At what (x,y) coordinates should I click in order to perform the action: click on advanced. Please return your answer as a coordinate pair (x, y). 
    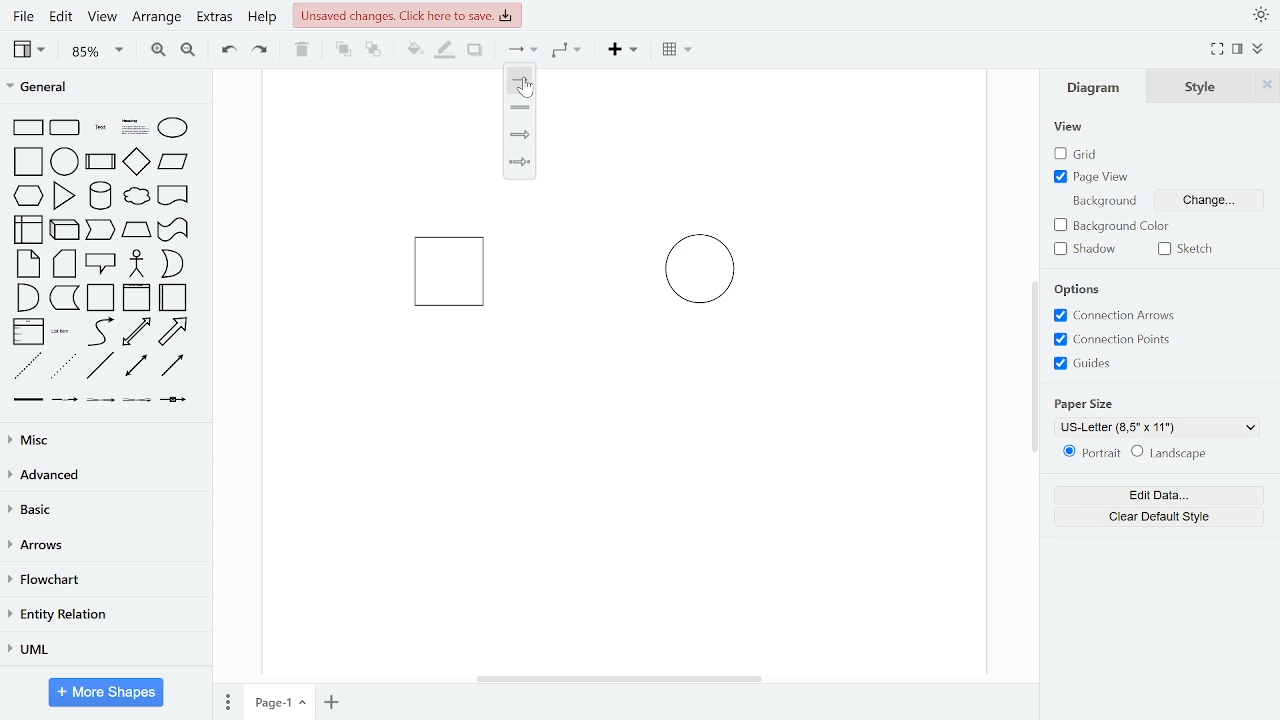
    Looking at the image, I should click on (102, 474).